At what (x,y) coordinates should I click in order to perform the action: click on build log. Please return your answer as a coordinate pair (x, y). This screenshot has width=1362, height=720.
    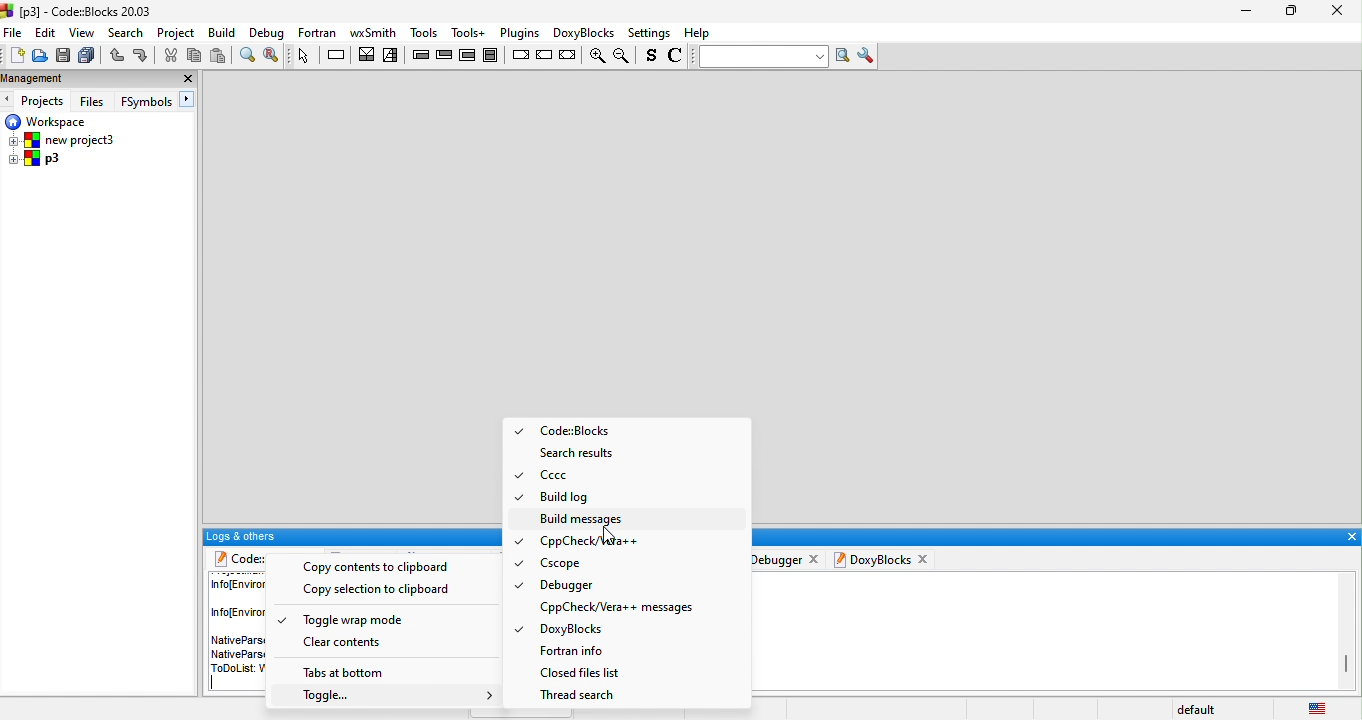
    Looking at the image, I should click on (568, 497).